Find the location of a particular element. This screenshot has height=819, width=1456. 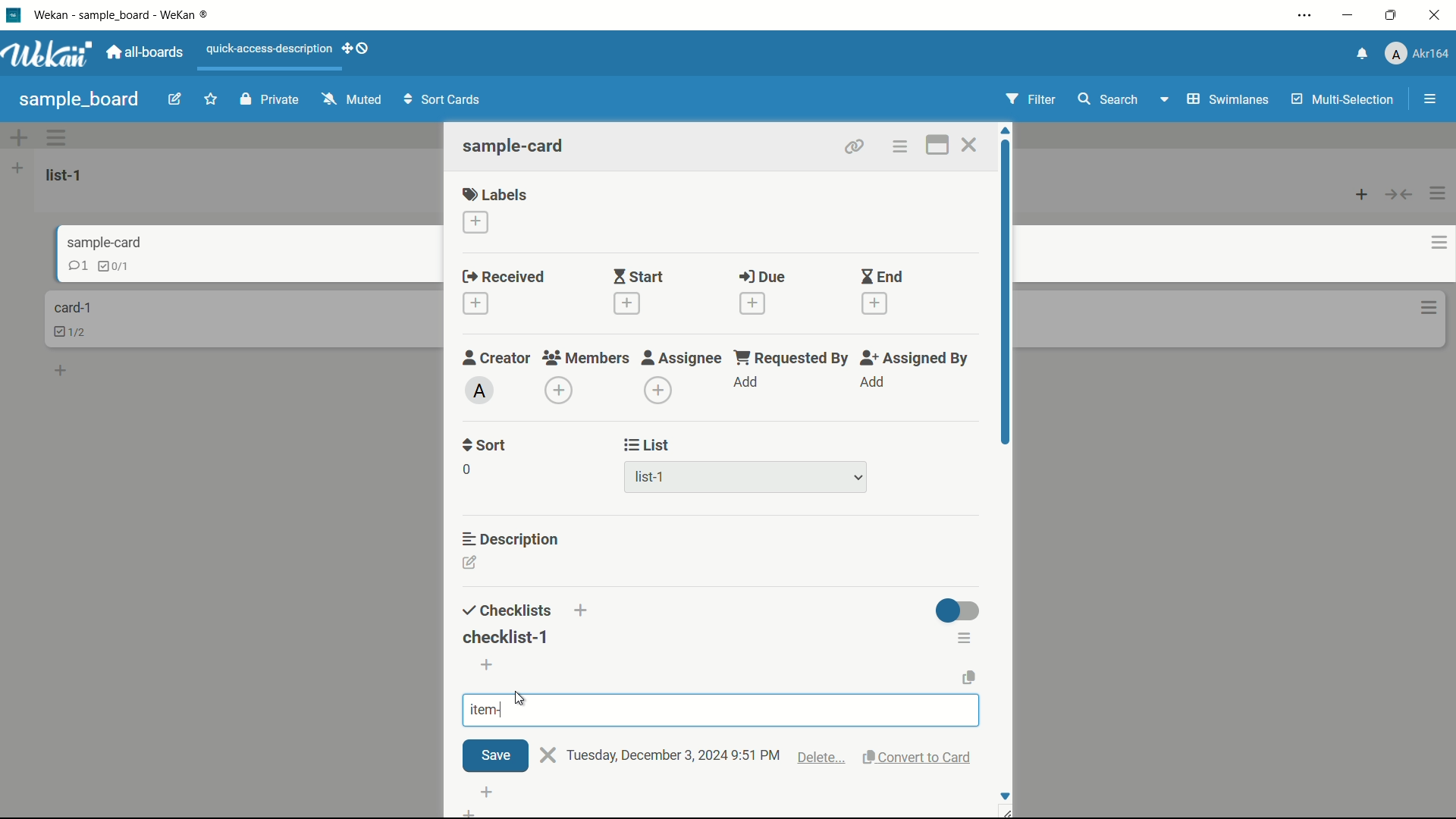

requested by is located at coordinates (793, 358).